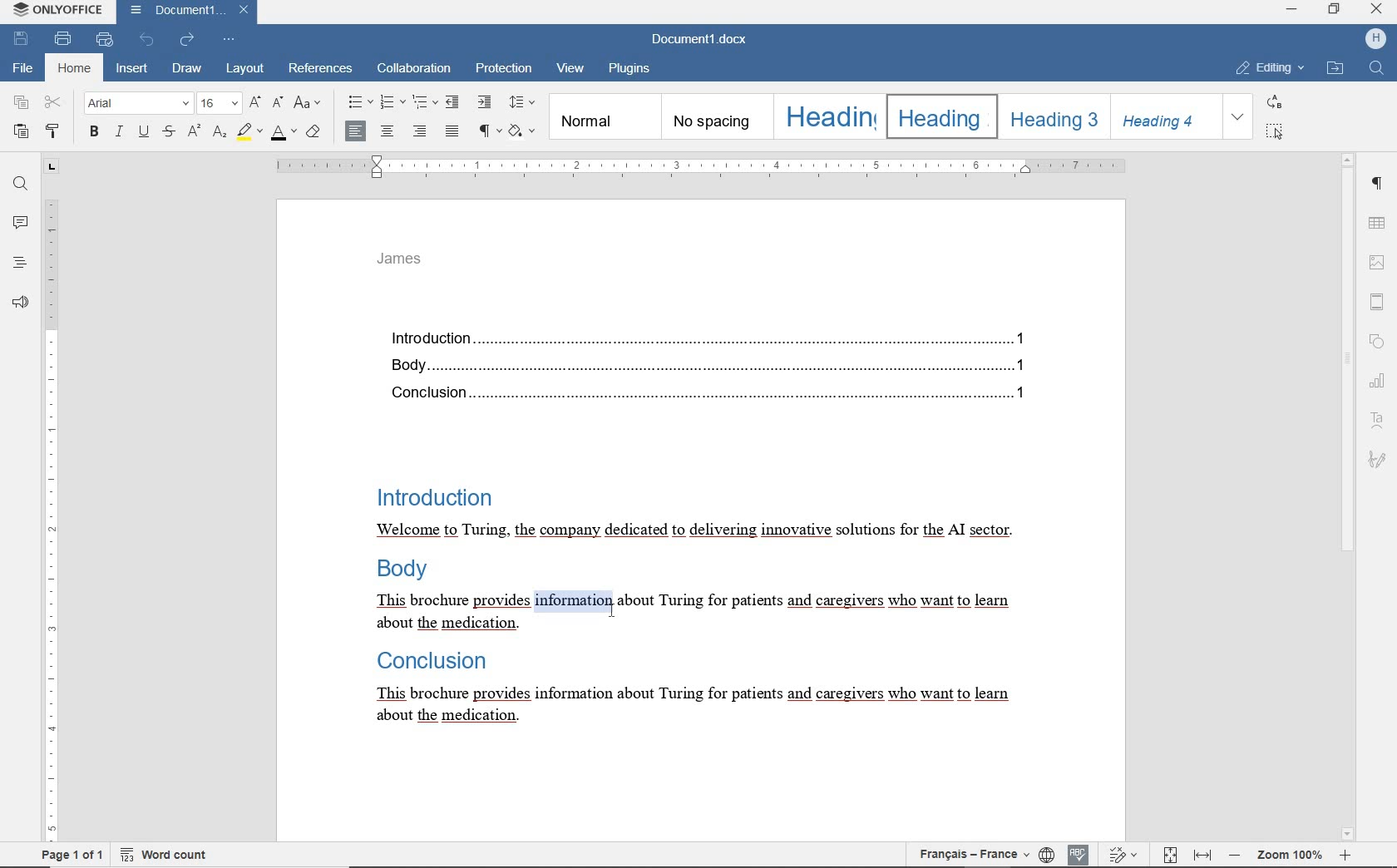 This screenshot has height=868, width=1397. What do you see at coordinates (1378, 261) in the screenshot?
I see `IMAGE` at bounding box center [1378, 261].